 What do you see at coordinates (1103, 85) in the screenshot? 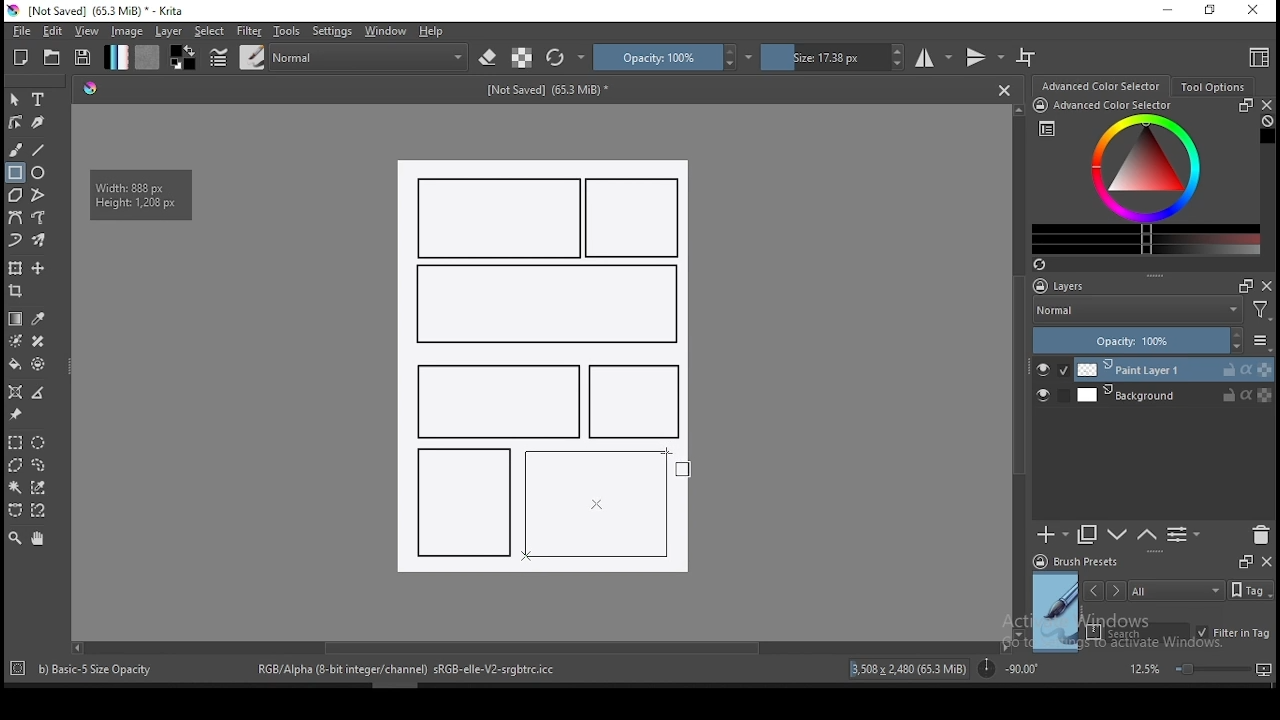
I see `advance color selector` at bounding box center [1103, 85].